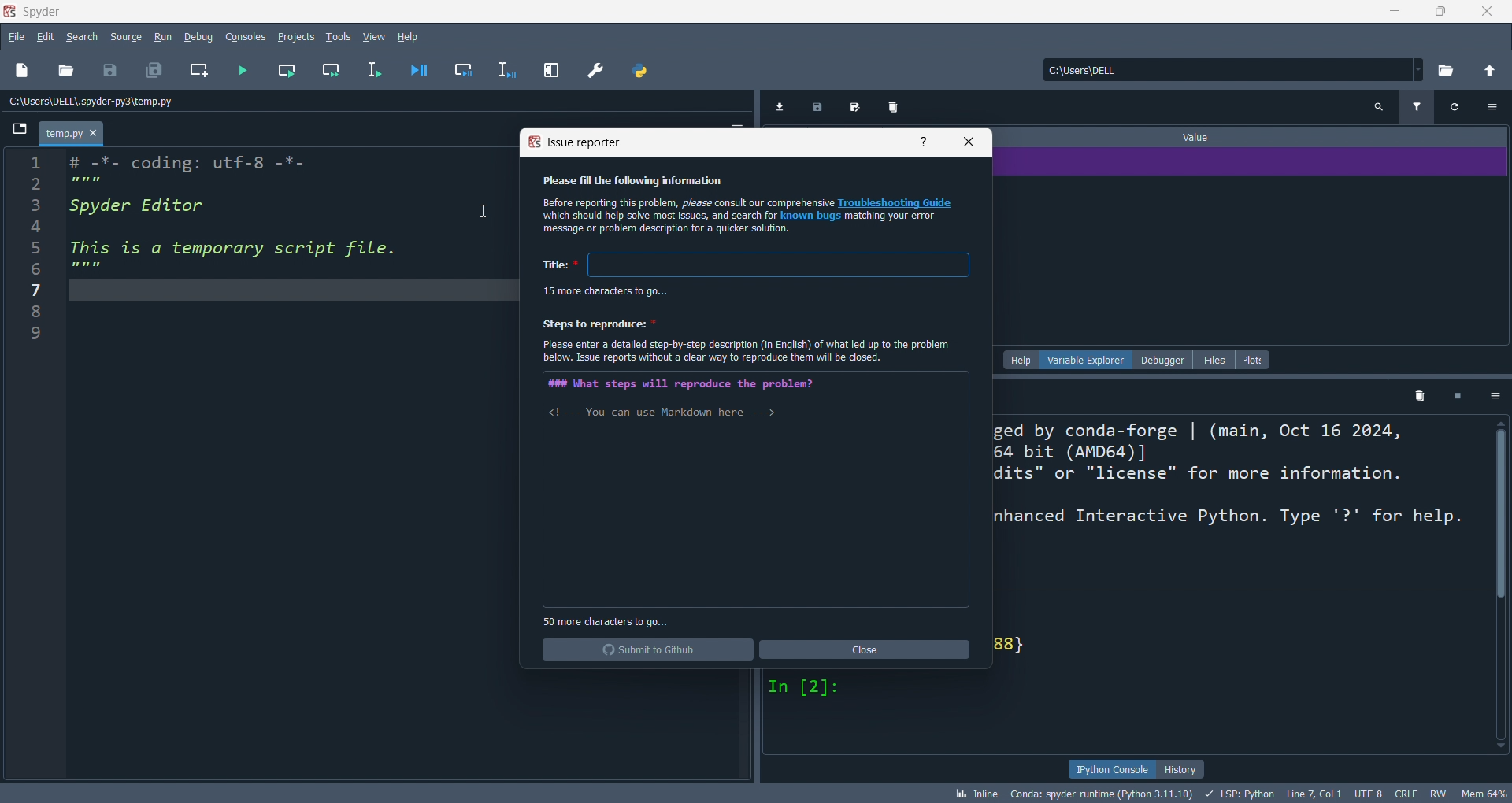 The image size is (1512, 803). Describe the element at coordinates (295, 37) in the screenshot. I see `projects` at that location.